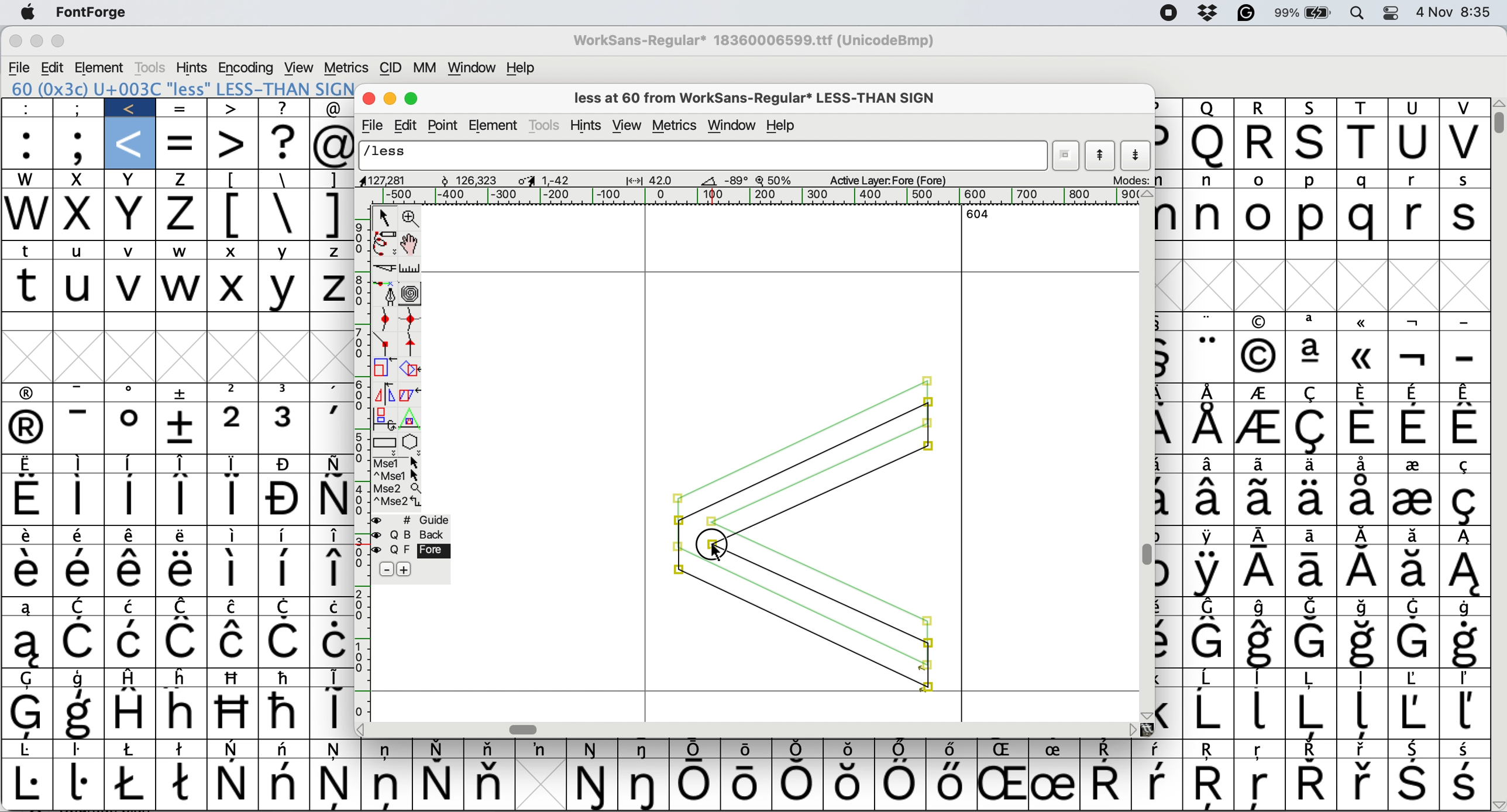 This screenshot has width=1507, height=812. I want to click on w, so click(181, 287).